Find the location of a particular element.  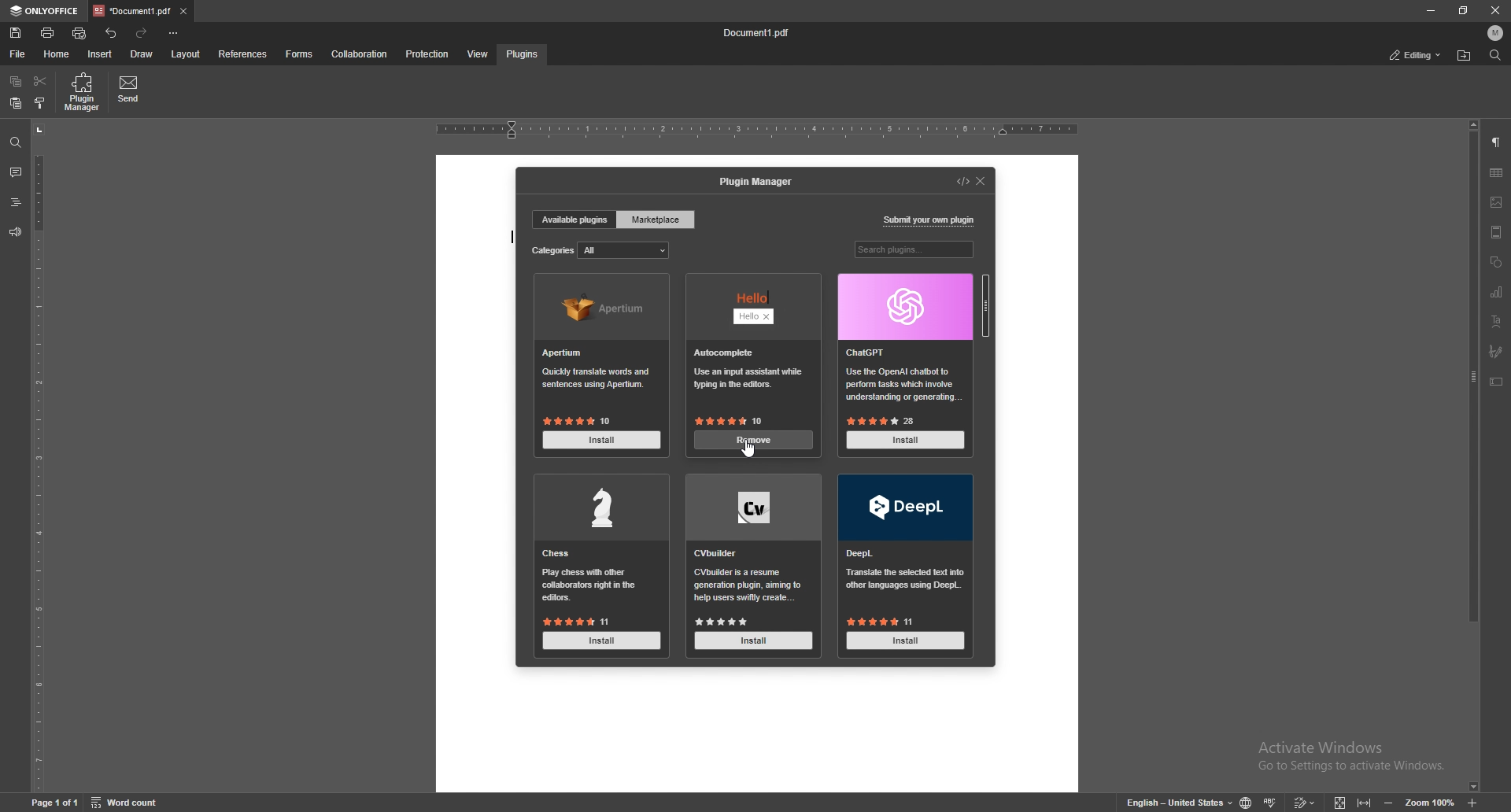

fit to screen is located at coordinates (1339, 802).